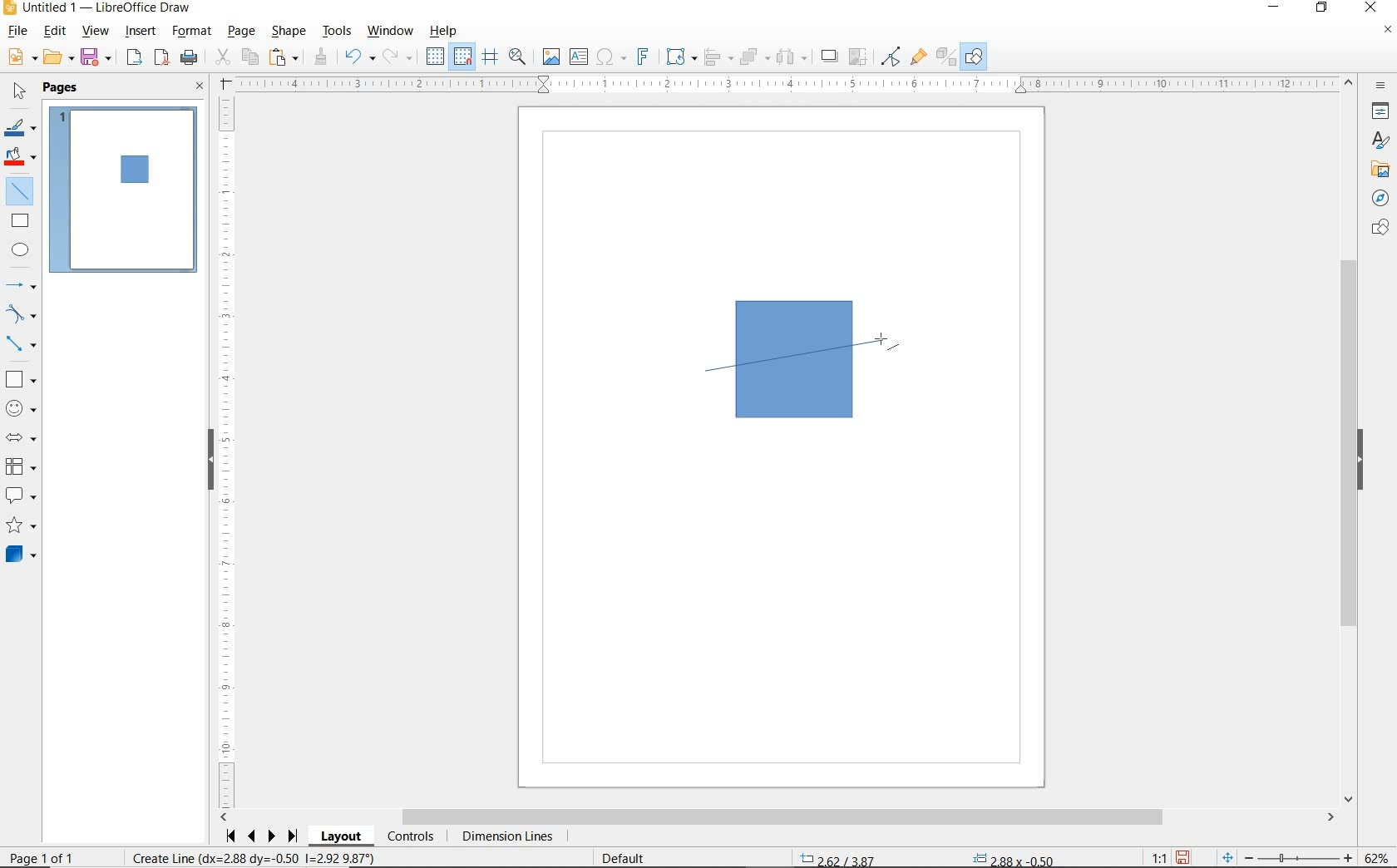  Describe the element at coordinates (62, 89) in the screenshot. I see `PAGES` at that location.